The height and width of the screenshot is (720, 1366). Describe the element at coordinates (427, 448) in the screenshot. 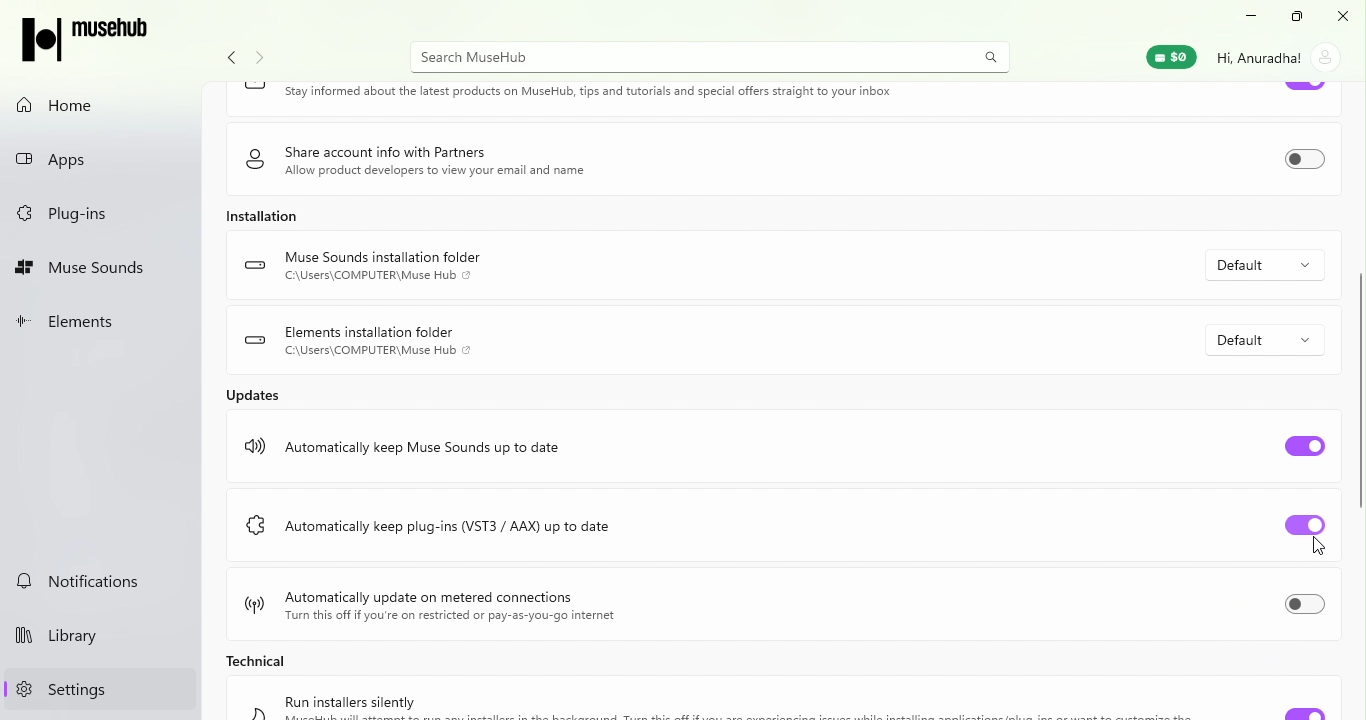

I see `Automatically keep Muse Sounds up to date` at that location.